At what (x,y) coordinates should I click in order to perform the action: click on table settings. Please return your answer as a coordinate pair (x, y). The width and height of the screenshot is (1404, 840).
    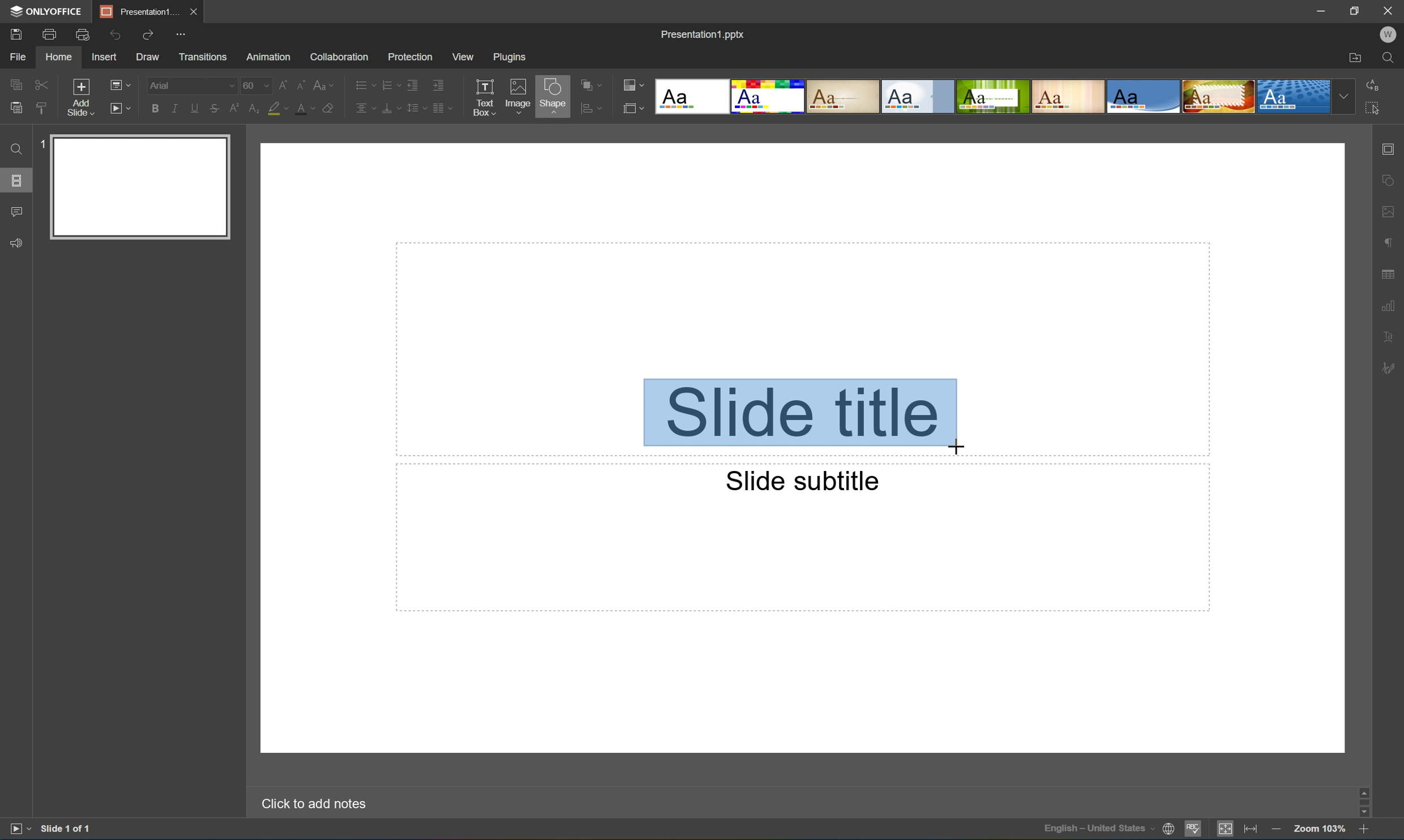
    Looking at the image, I should click on (1389, 272).